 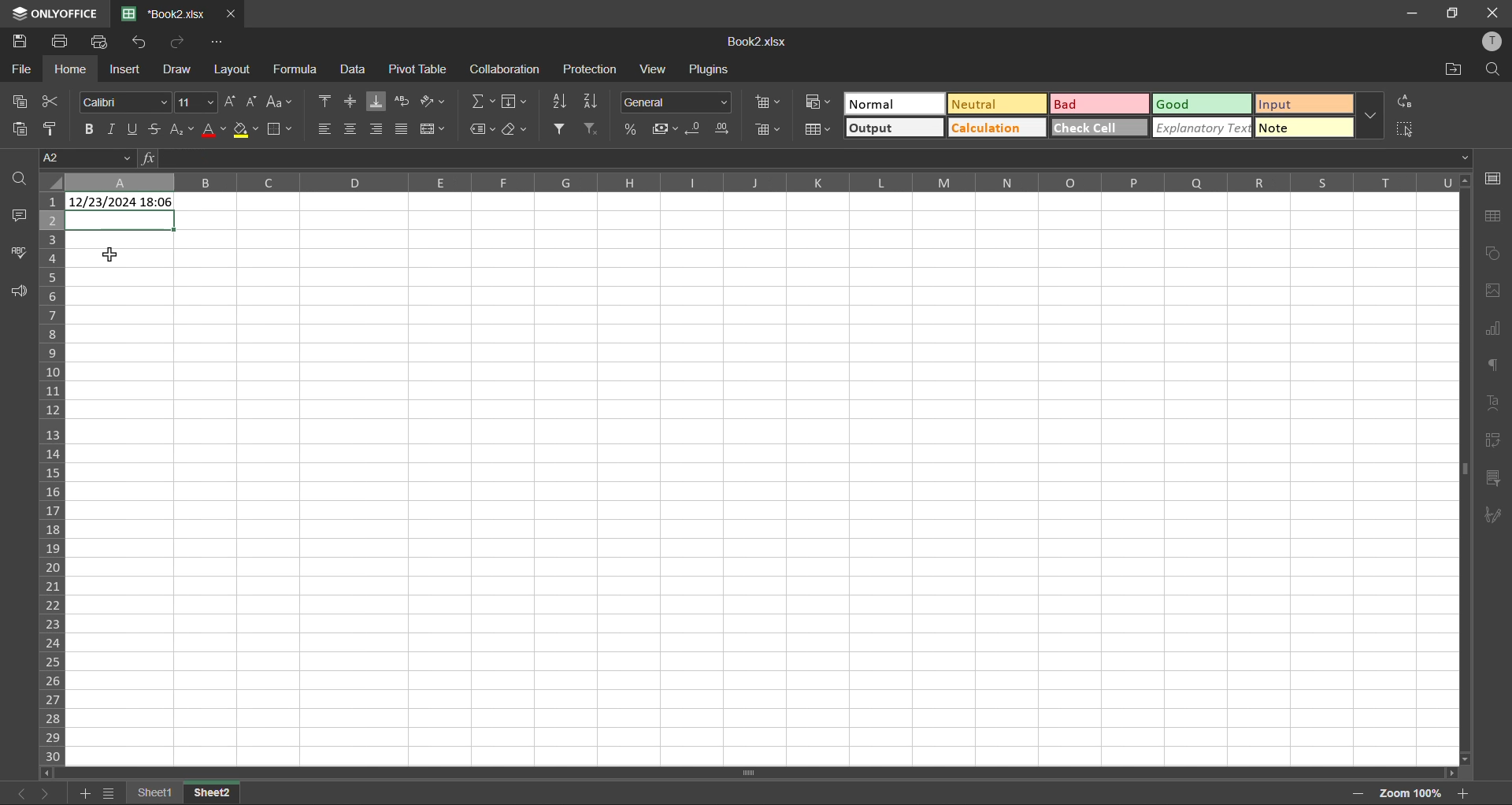 I want to click on zoom out, so click(x=1354, y=796).